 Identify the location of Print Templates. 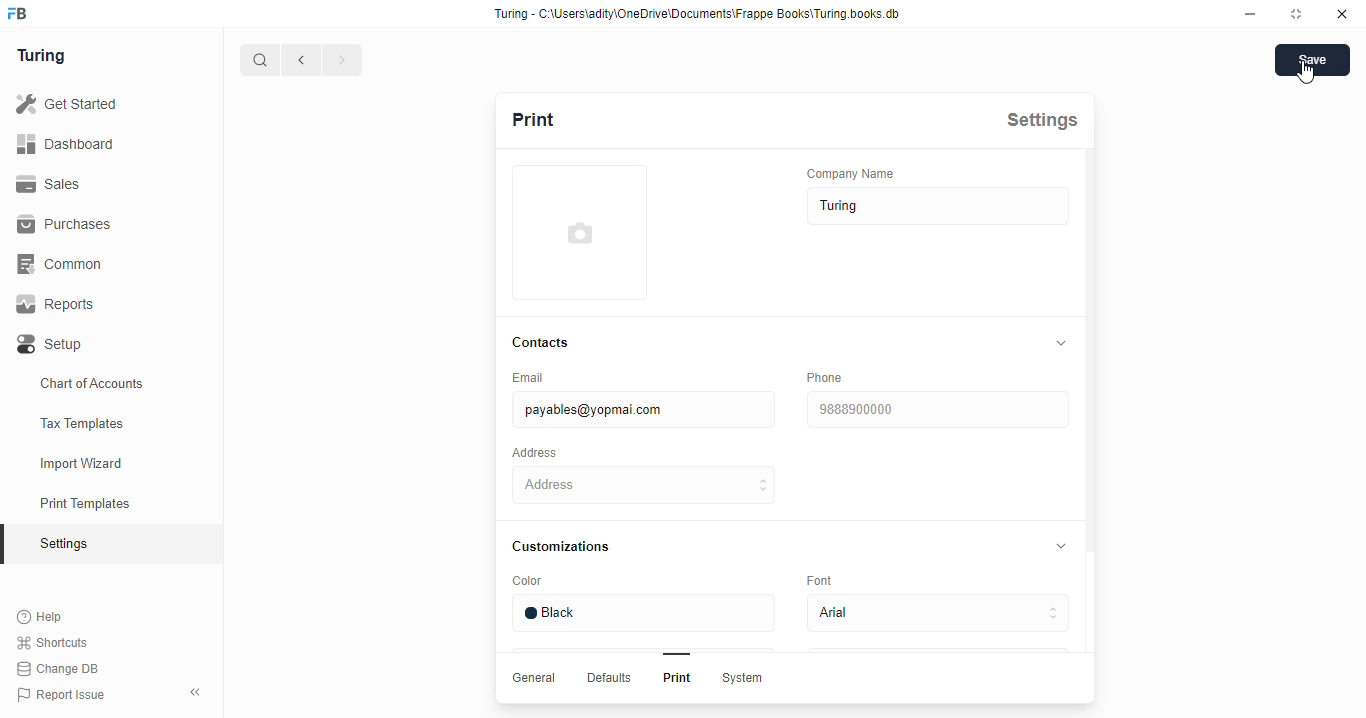
(106, 503).